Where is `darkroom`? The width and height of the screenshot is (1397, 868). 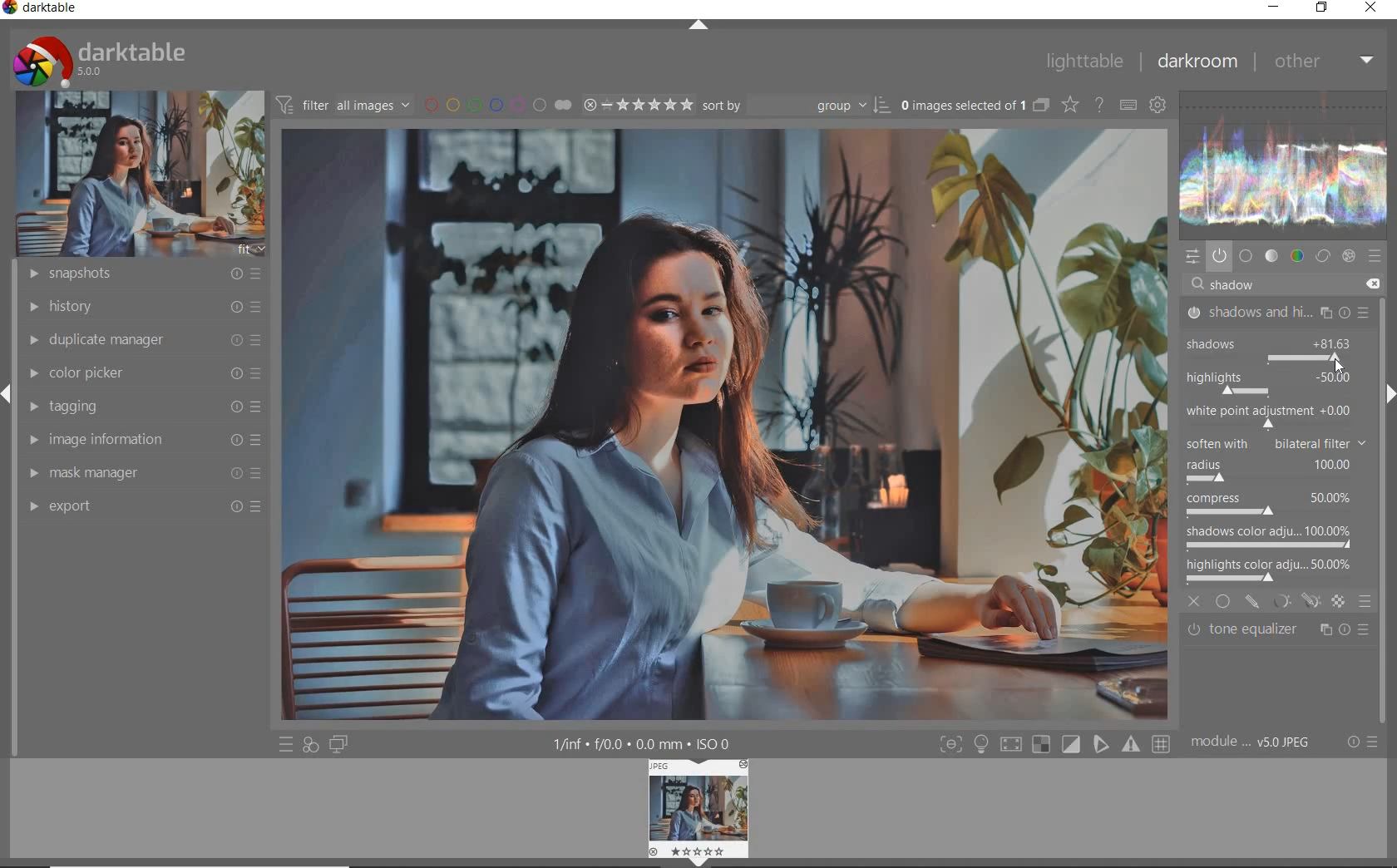 darkroom is located at coordinates (1196, 62).